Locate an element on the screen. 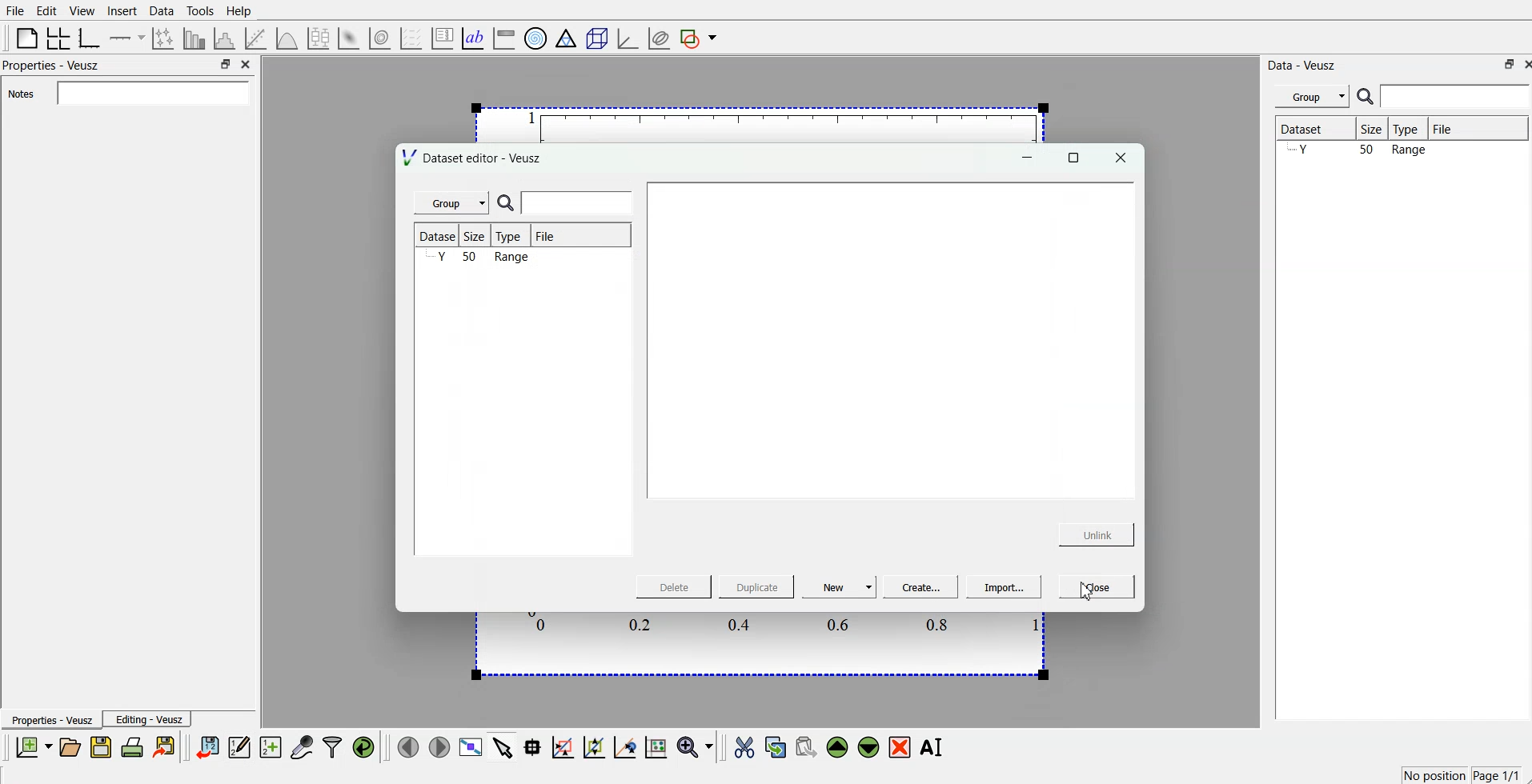  move to previous page is located at coordinates (409, 746).